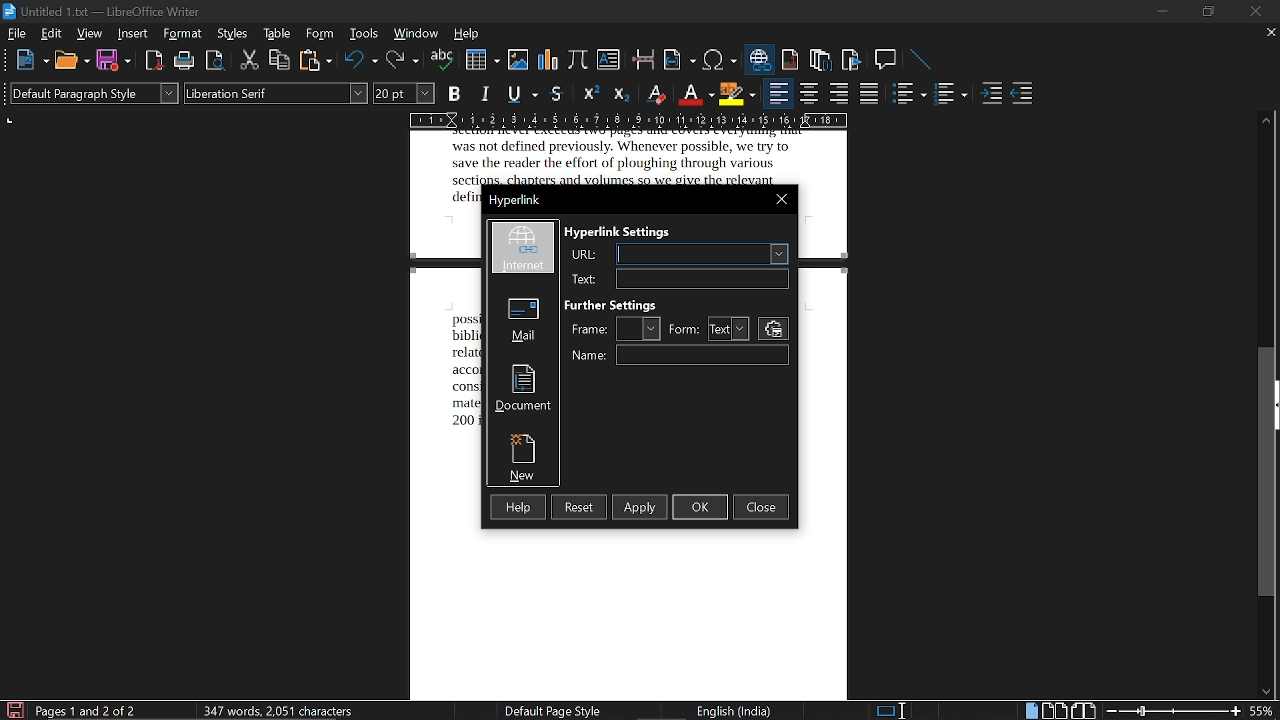 Image resolution: width=1280 pixels, height=720 pixels. What do you see at coordinates (150, 62) in the screenshot?
I see `export as pdf` at bounding box center [150, 62].